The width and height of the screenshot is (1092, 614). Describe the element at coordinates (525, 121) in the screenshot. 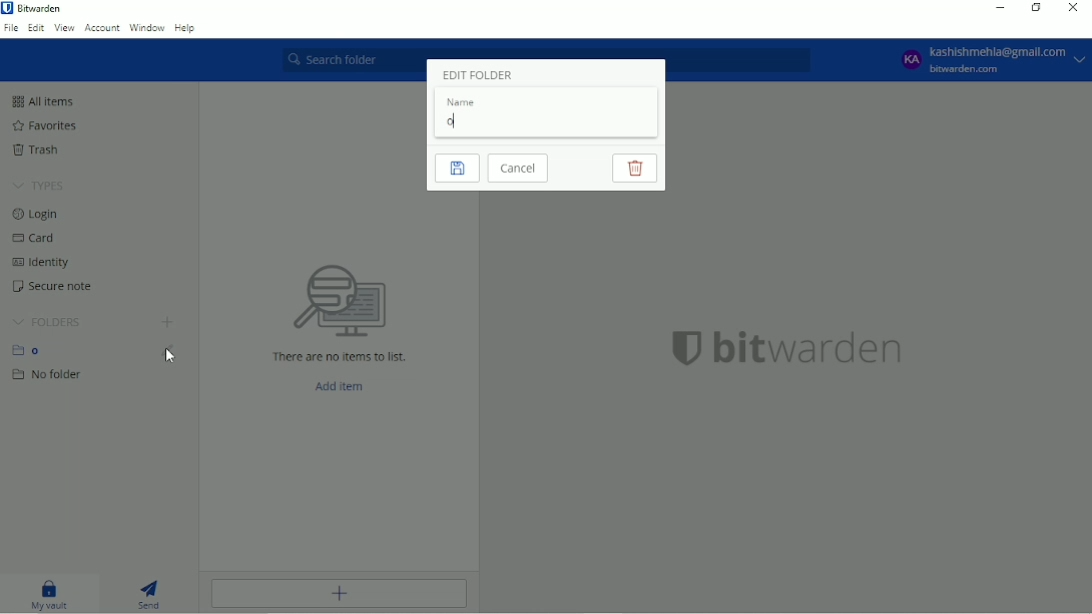

I see `Name input` at that location.